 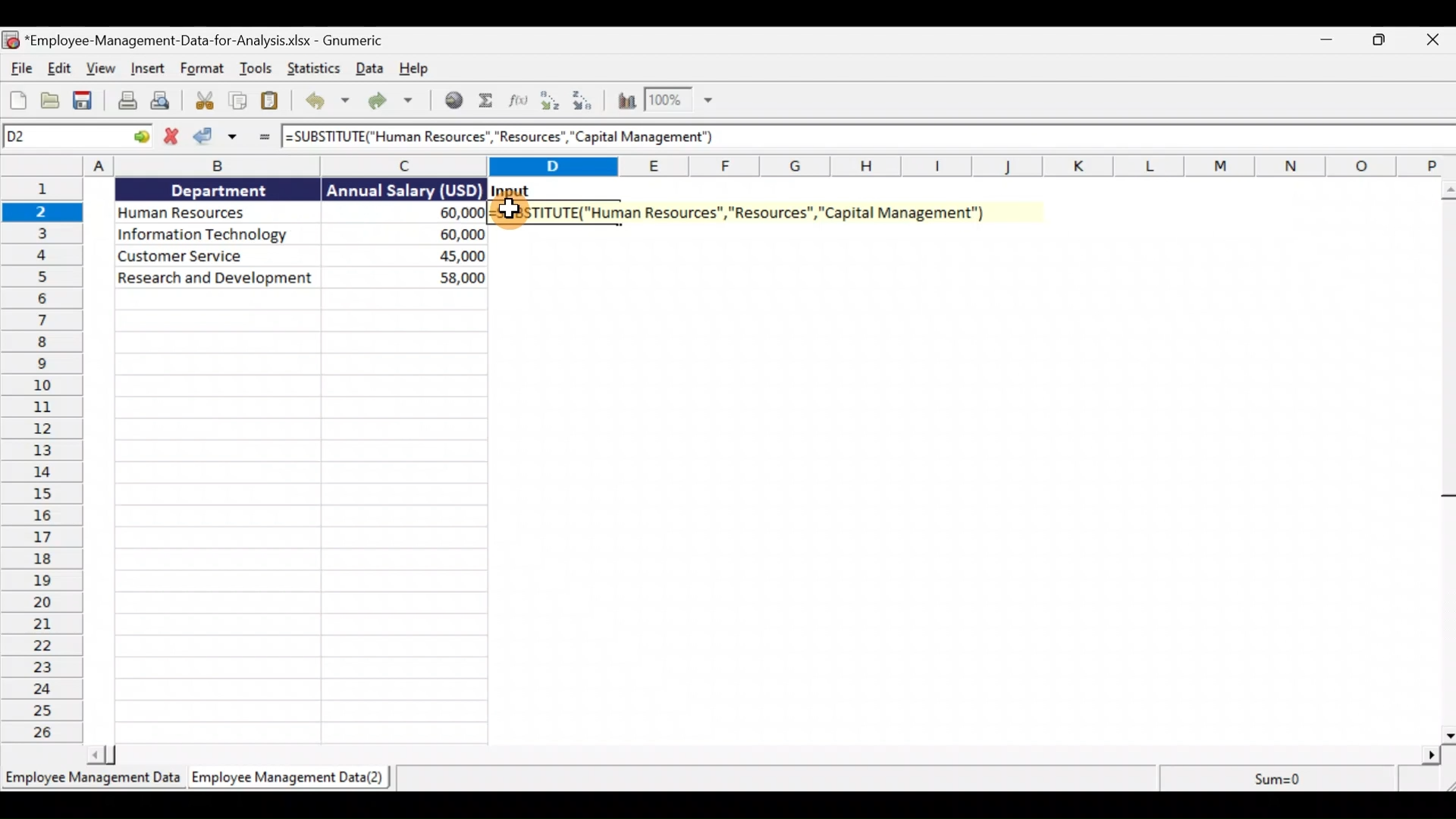 What do you see at coordinates (270, 101) in the screenshot?
I see `Paste clipboard` at bounding box center [270, 101].